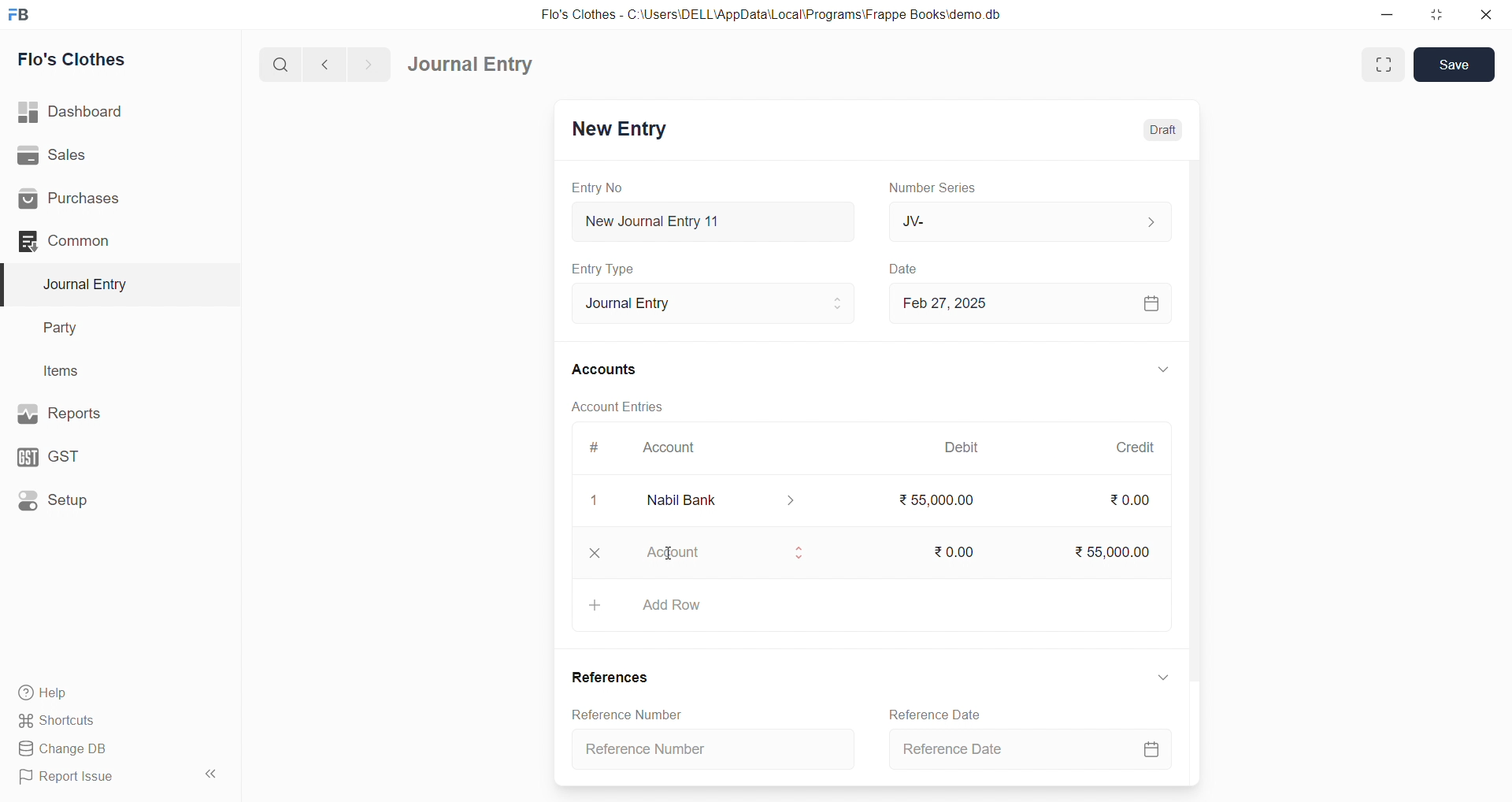 This screenshot has height=802, width=1512. Describe the element at coordinates (70, 326) in the screenshot. I see `Party` at that location.